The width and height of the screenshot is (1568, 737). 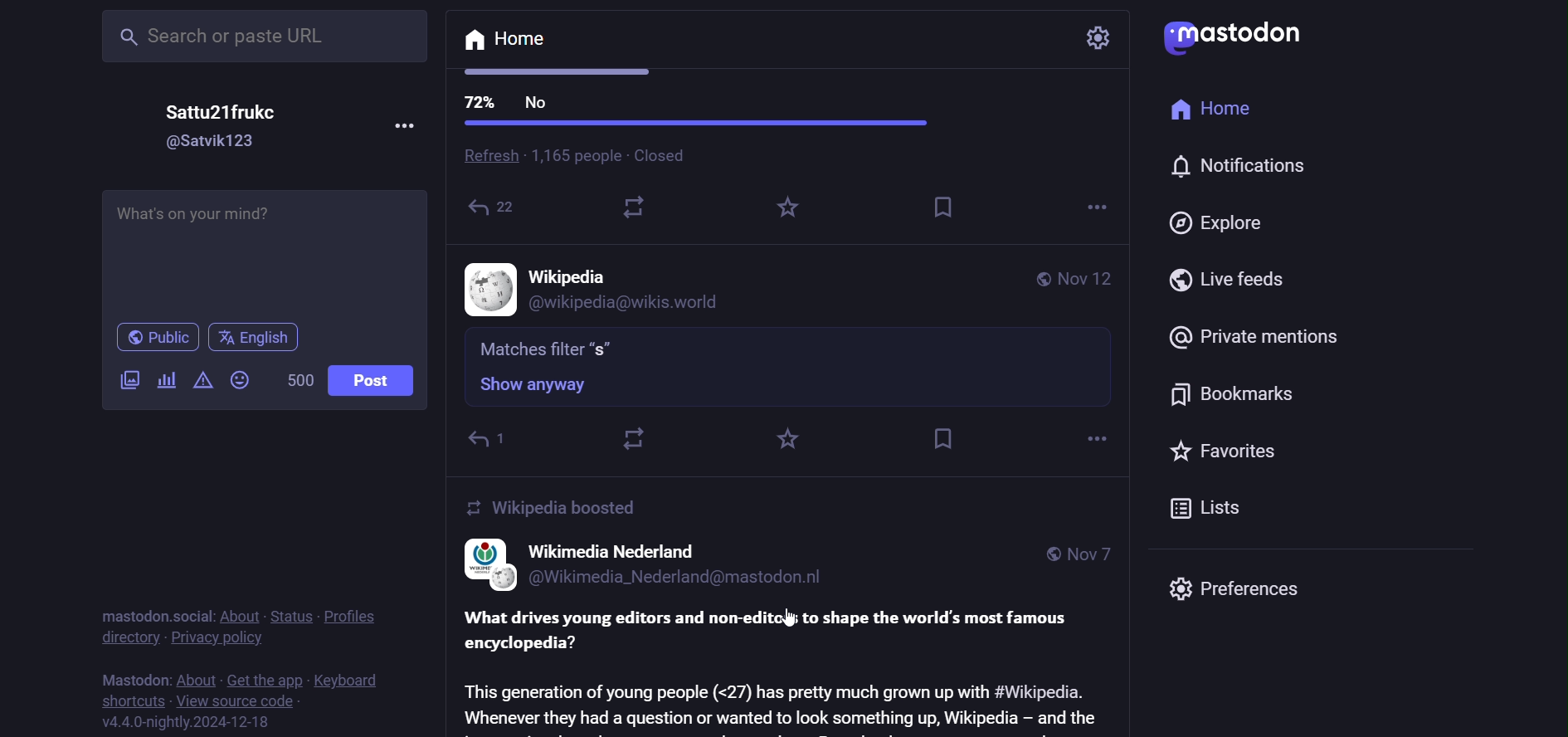 I want to click on privacy policy, so click(x=221, y=637).